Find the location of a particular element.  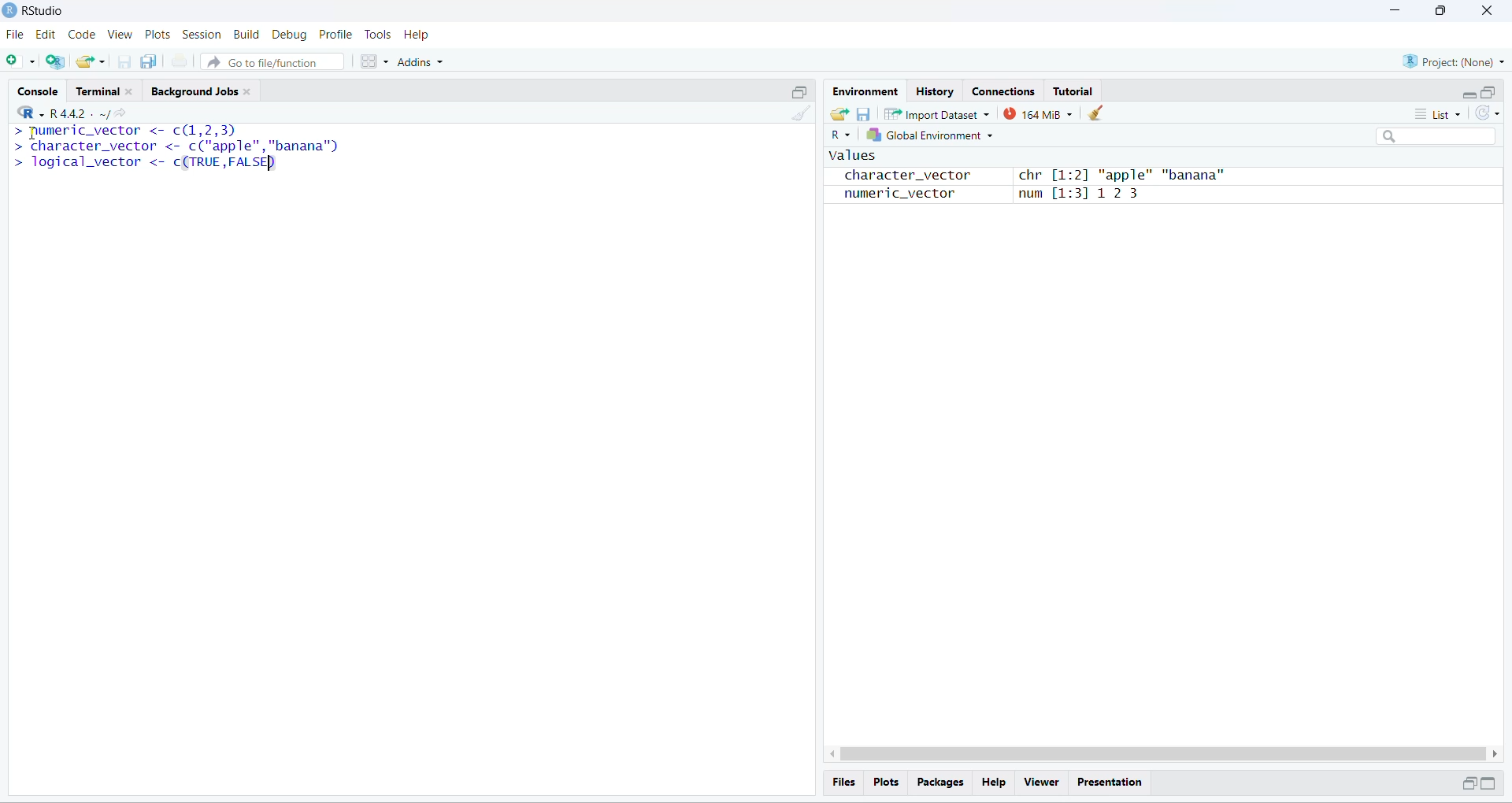

‘character_vector <- c("apple","banana") is located at coordinates (176, 146).